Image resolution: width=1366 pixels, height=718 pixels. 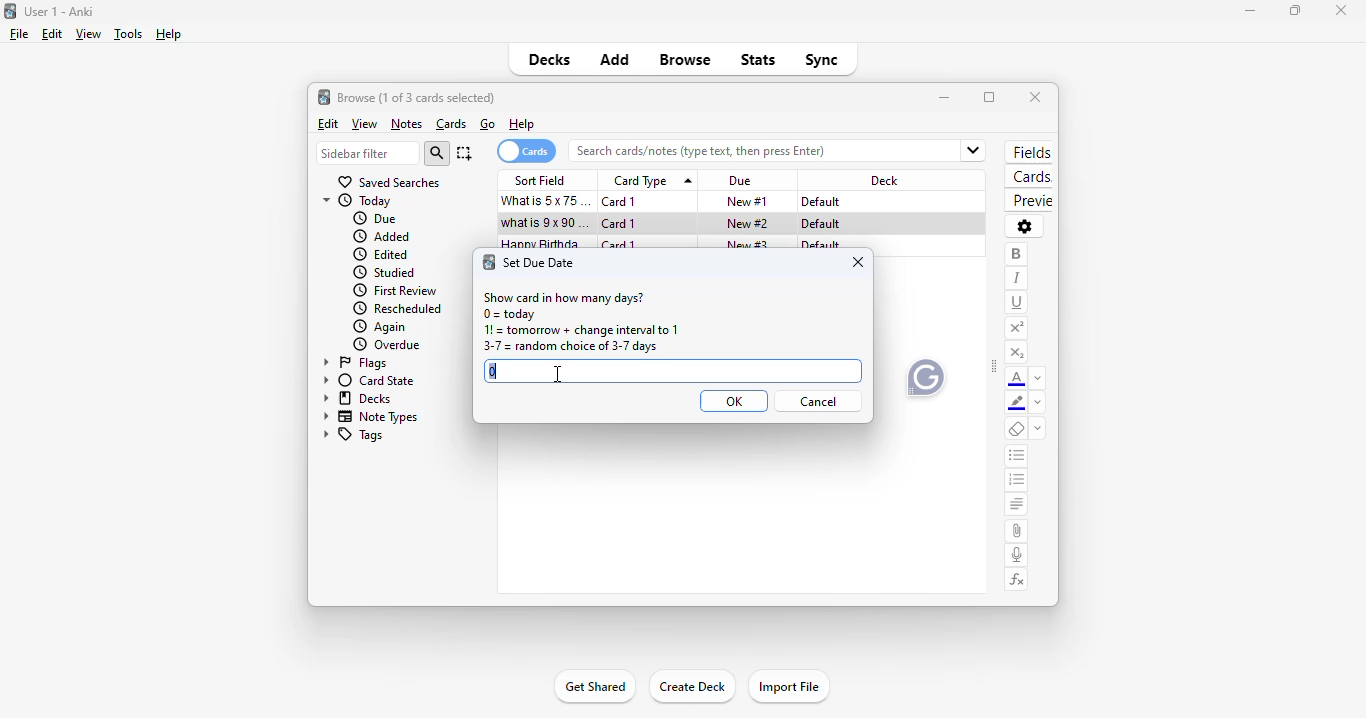 What do you see at coordinates (375, 218) in the screenshot?
I see `due` at bounding box center [375, 218].